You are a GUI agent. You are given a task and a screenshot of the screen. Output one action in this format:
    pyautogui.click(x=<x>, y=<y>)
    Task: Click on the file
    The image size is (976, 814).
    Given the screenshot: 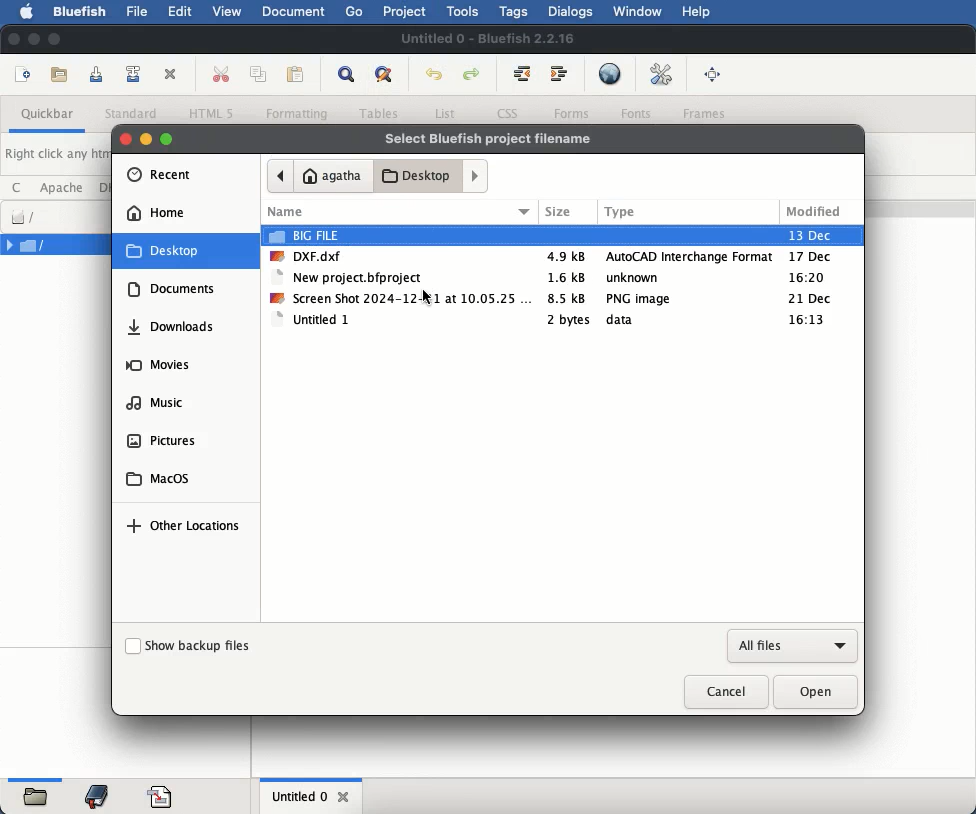 What is the action you would take?
    pyautogui.click(x=140, y=12)
    